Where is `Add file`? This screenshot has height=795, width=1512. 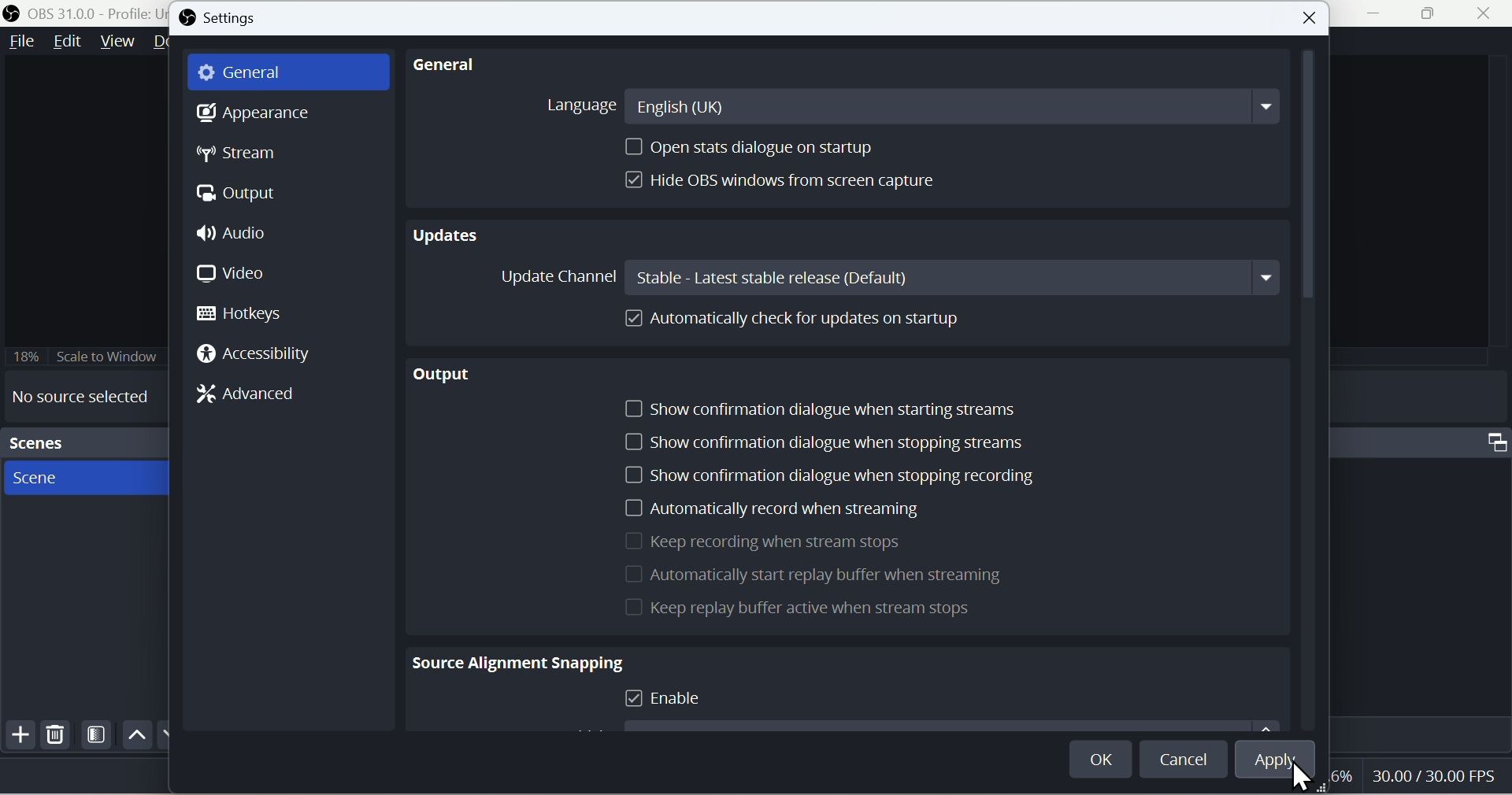 Add file is located at coordinates (19, 734).